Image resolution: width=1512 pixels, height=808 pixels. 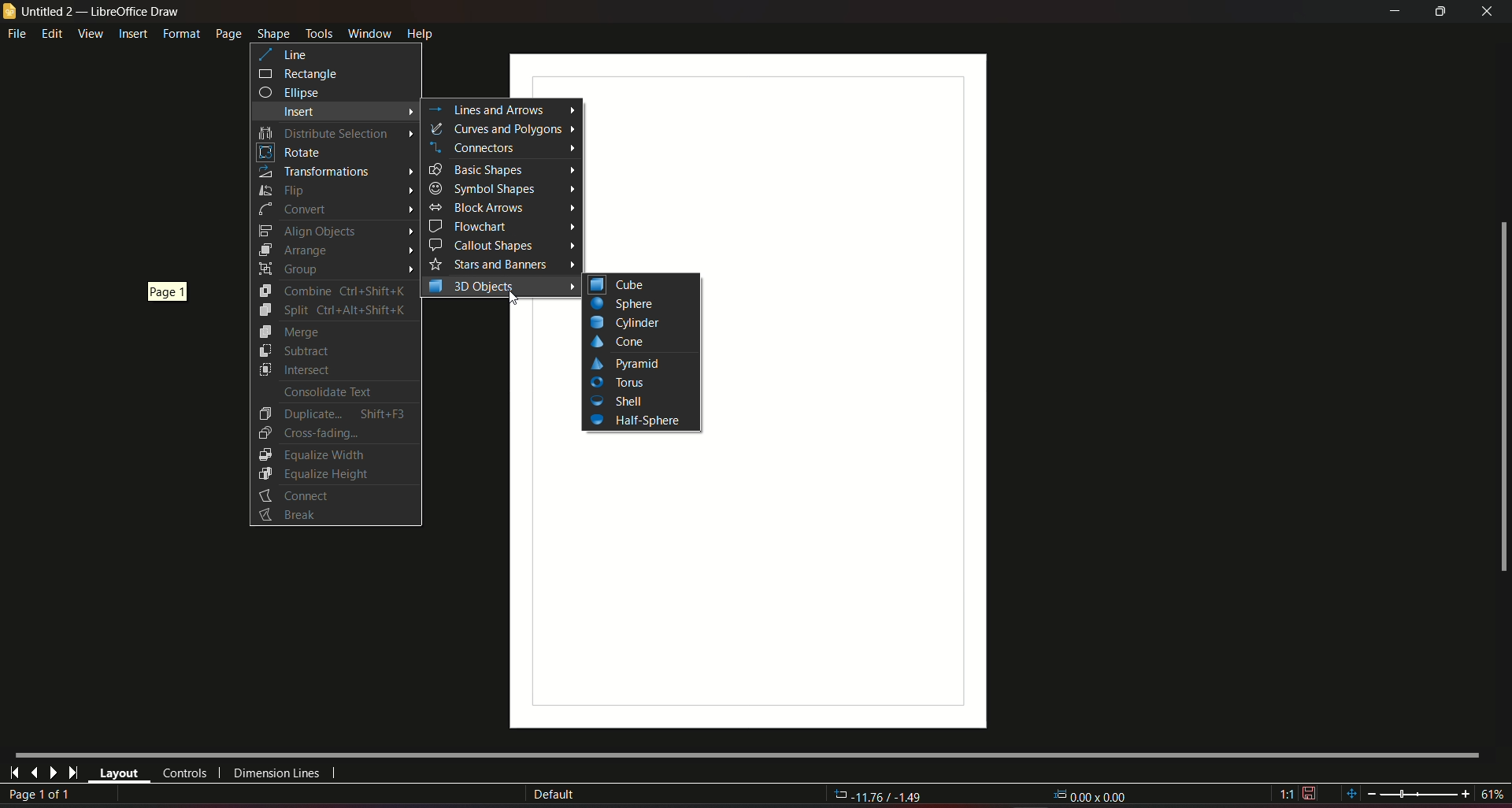 I want to click on insert, so click(x=302, y=111).